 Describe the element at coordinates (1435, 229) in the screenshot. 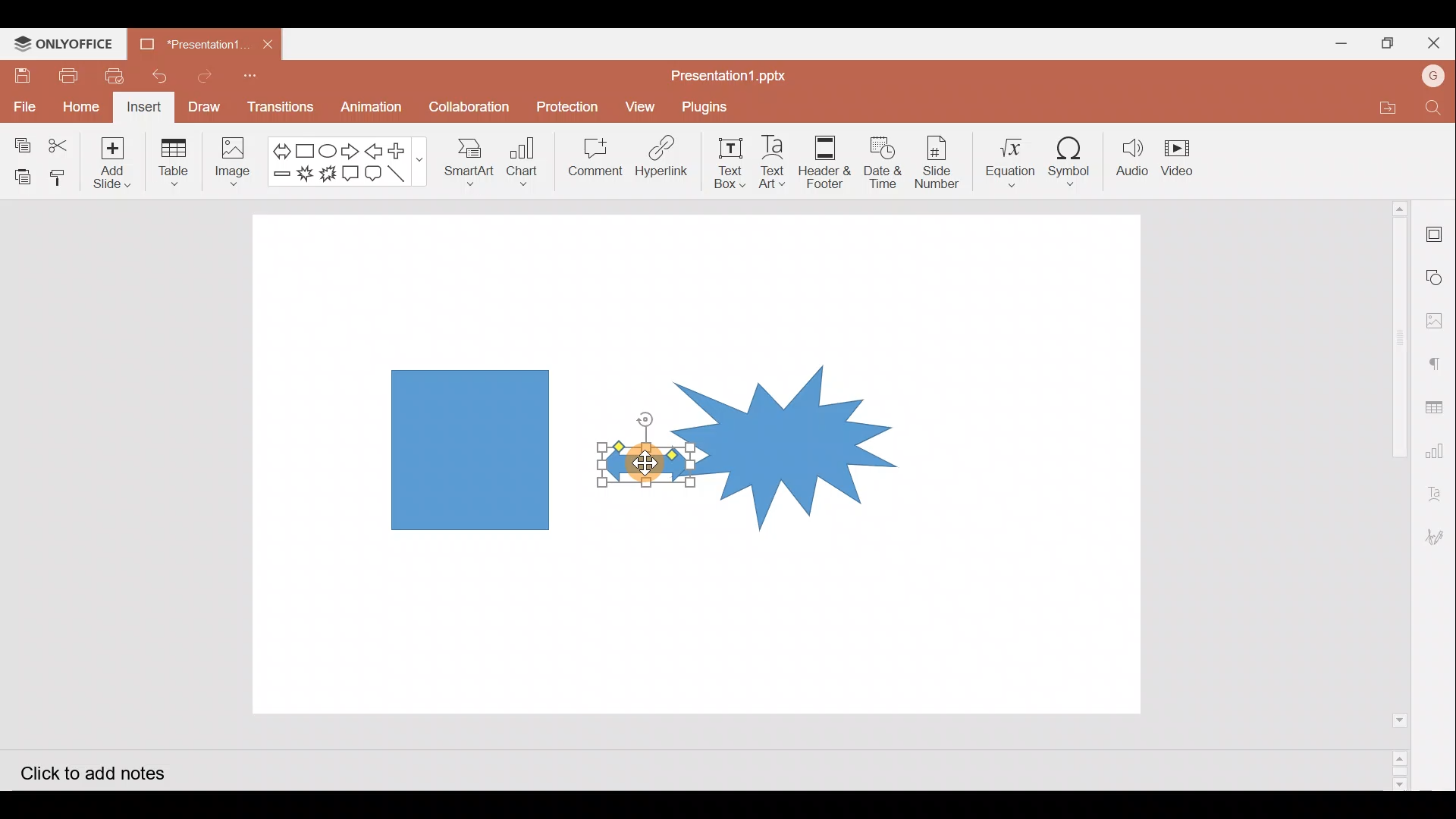

I see `Slide settings` at that location.